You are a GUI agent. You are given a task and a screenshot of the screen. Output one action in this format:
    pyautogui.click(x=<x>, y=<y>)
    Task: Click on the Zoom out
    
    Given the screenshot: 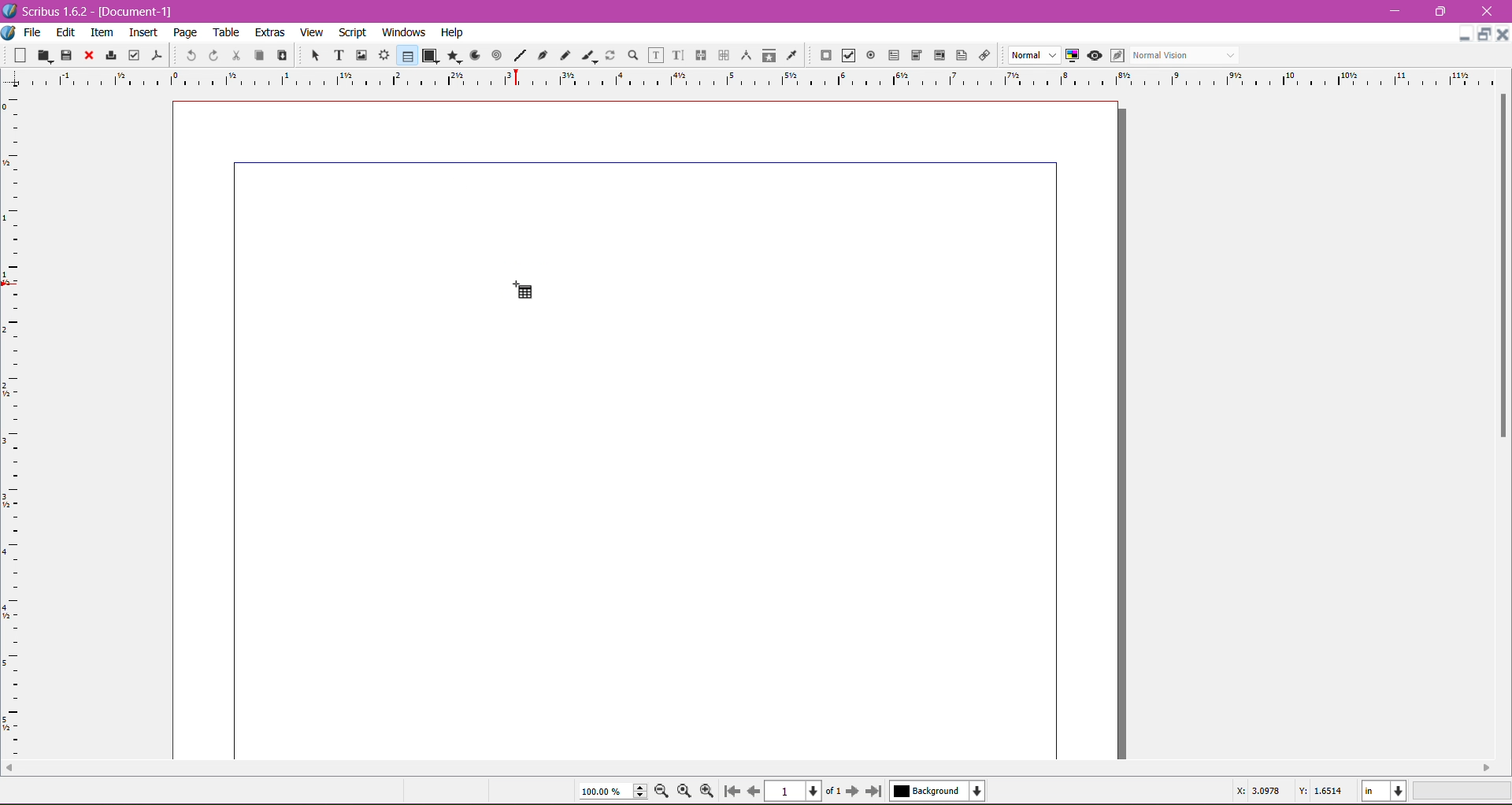 What is the action you would take?
    pyautogui.click(x=665, y=790)
    